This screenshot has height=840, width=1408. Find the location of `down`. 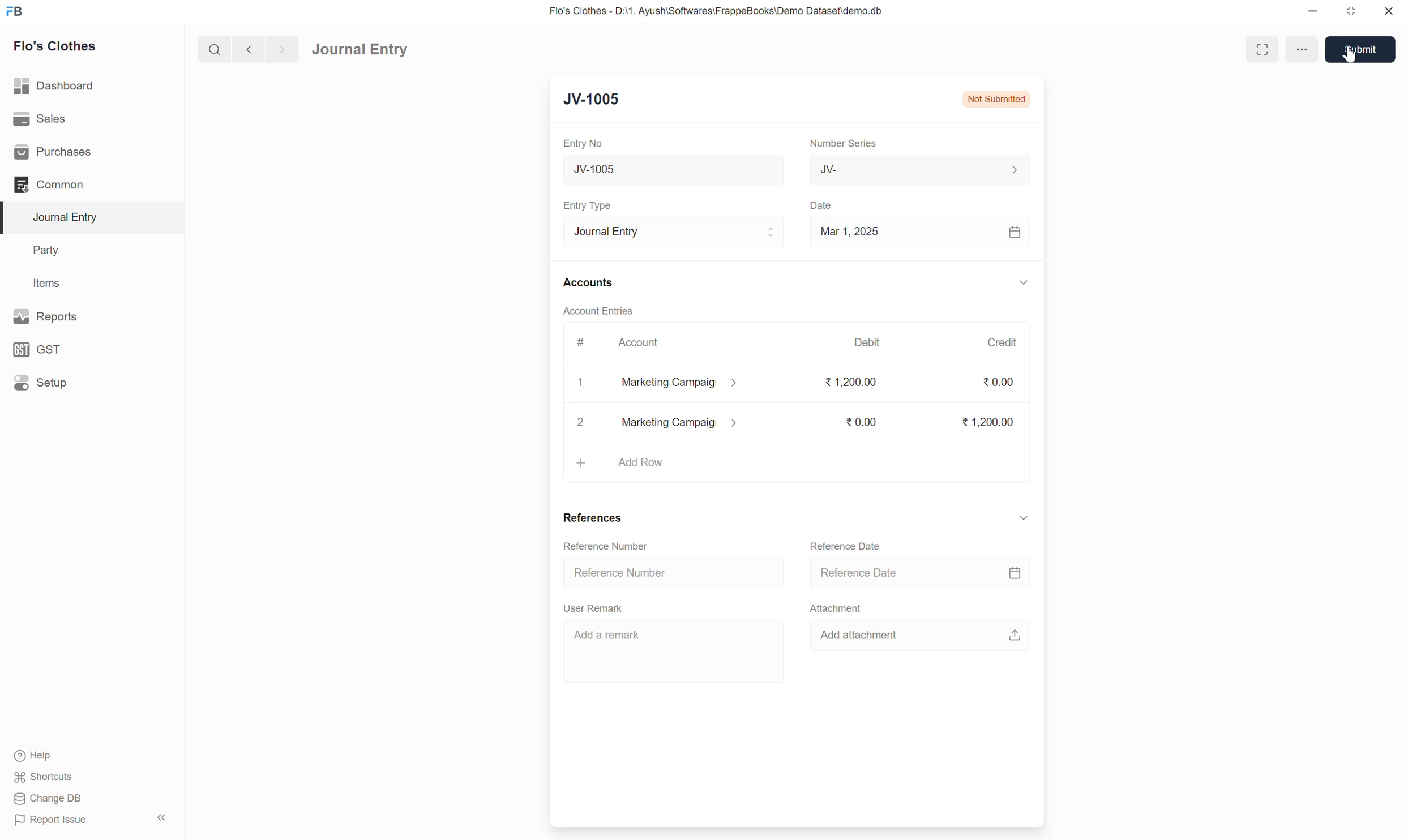

down is located at coordinates (1022, 284).